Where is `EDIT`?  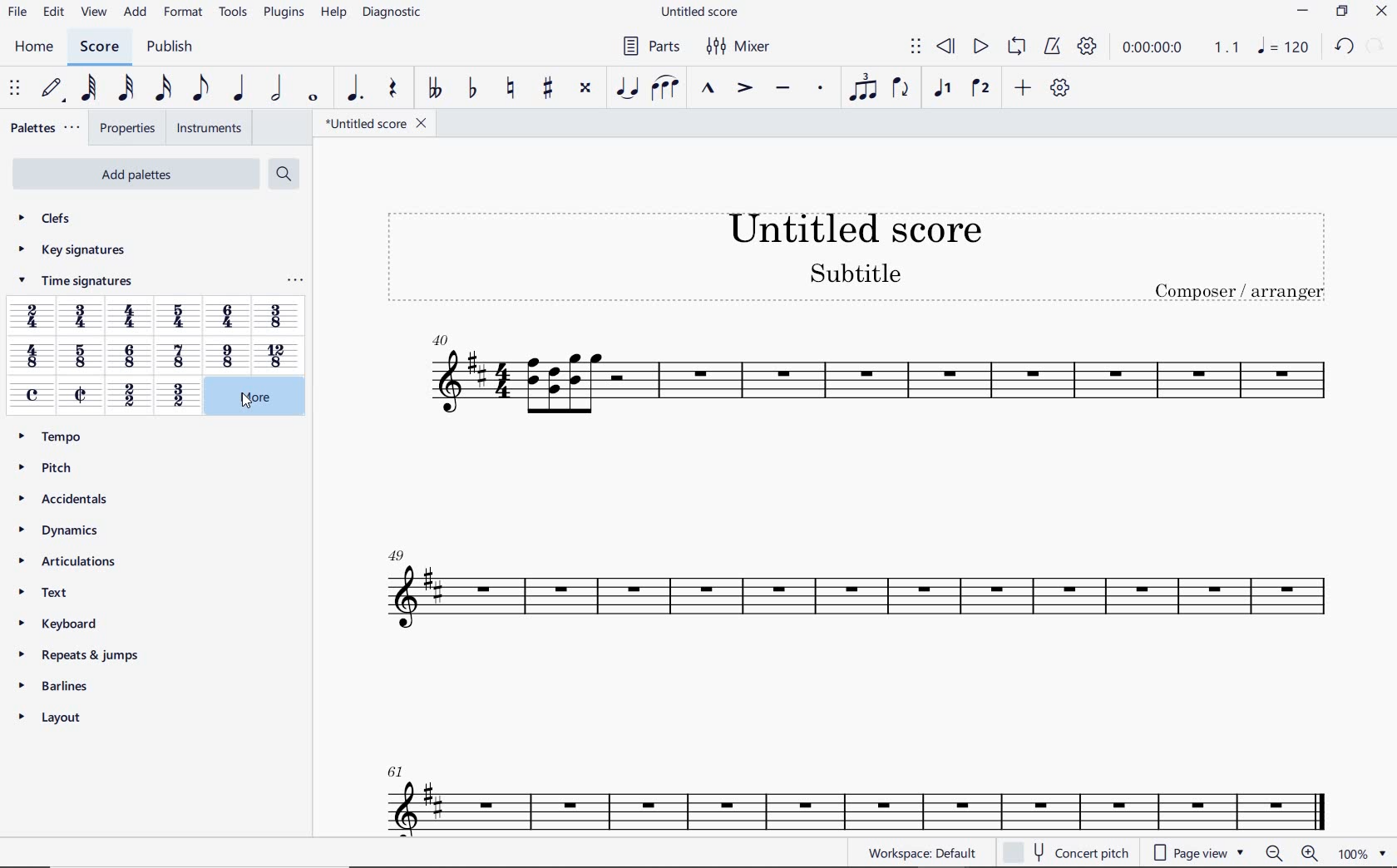
EDIT is located at coordinates (54, 12).